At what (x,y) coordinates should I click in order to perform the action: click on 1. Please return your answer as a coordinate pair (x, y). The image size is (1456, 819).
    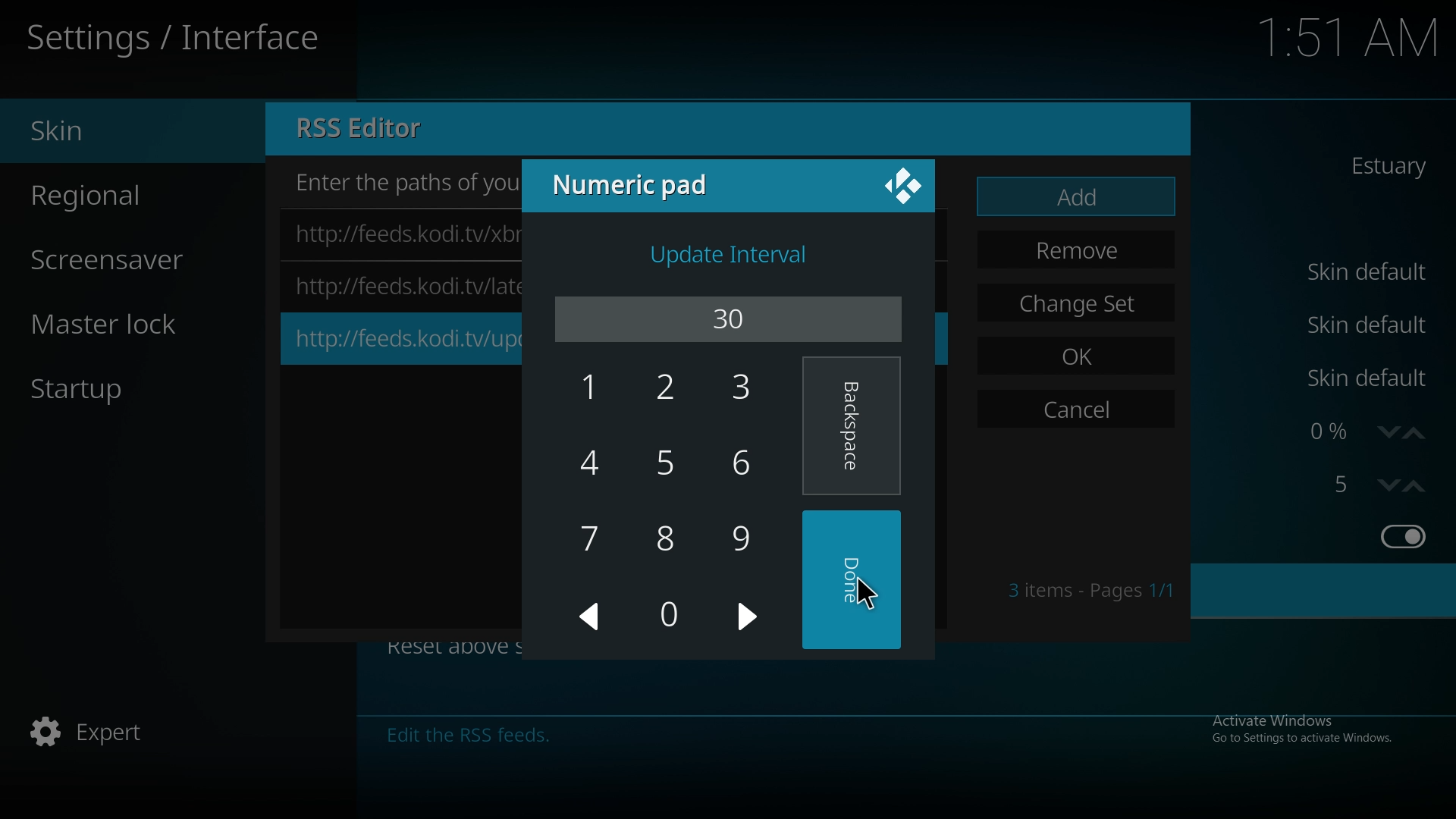
    Looking at the image, I should click on (588, 387).